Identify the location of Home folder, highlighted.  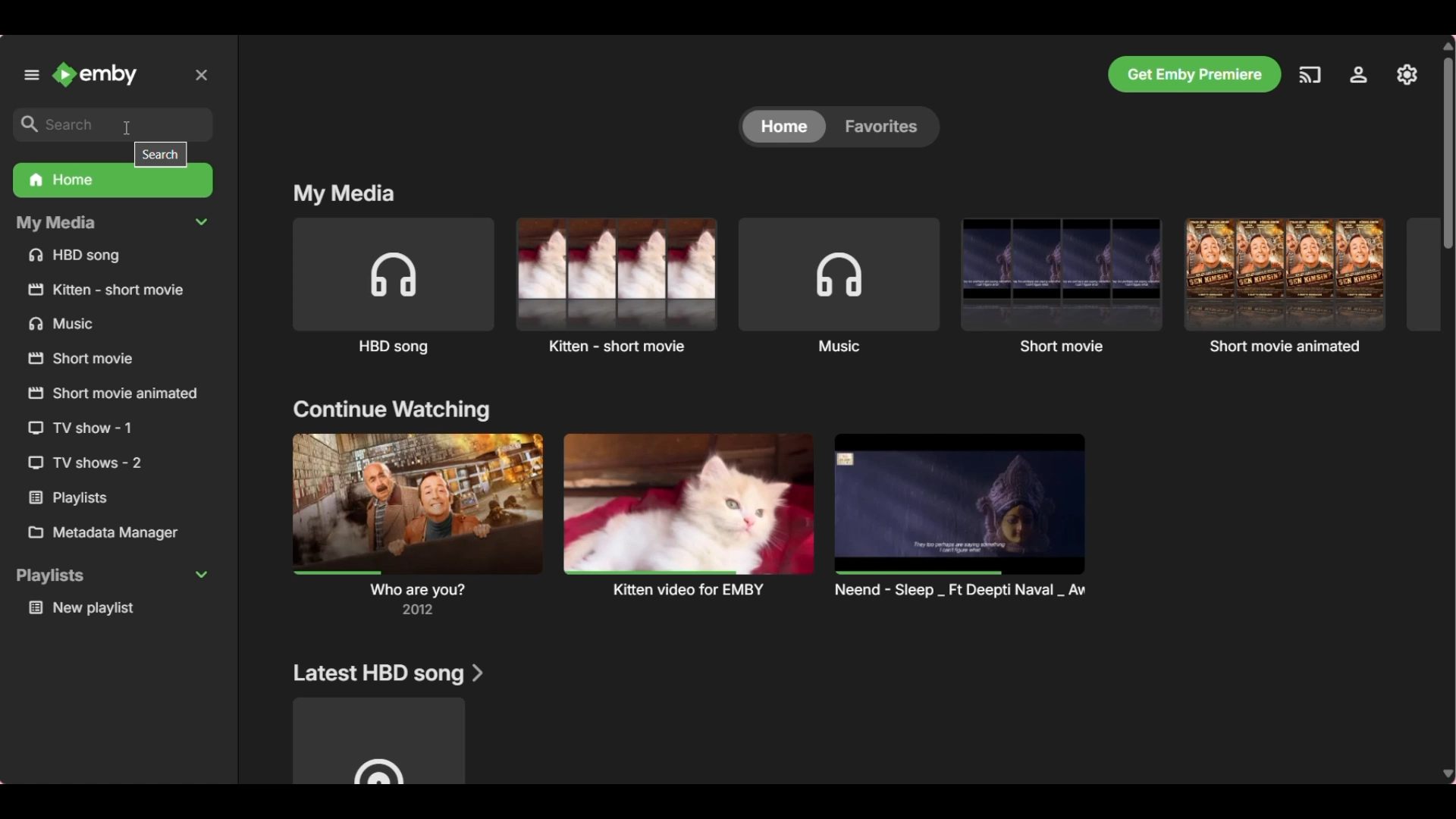
(113, 182).